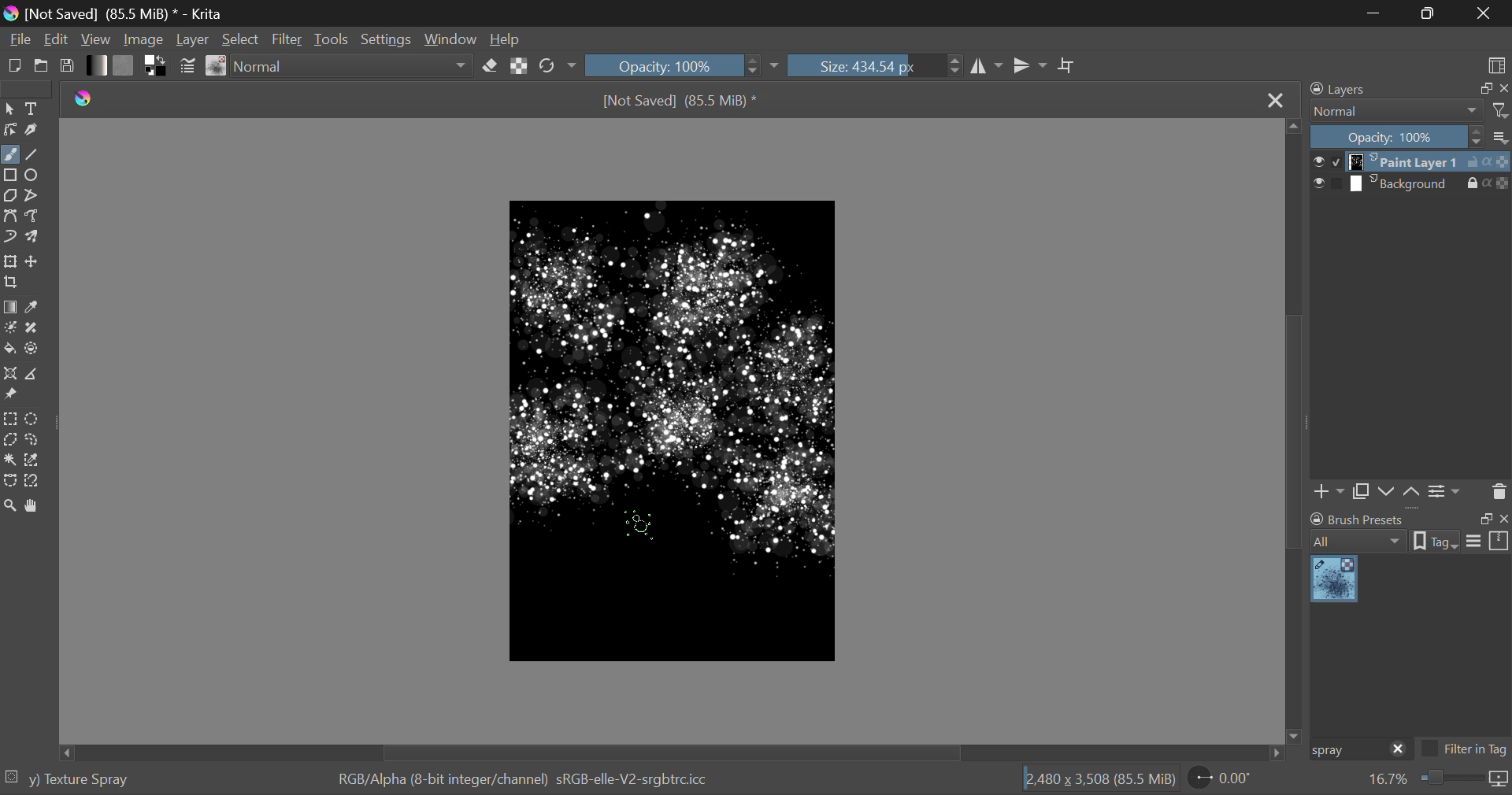 Image resolution: width=1512 pixels, height=795 pixels. What do you see at coordinates (1069, 66) in the screenshot?
I see `Crop` at bounding box center [1069, 66].